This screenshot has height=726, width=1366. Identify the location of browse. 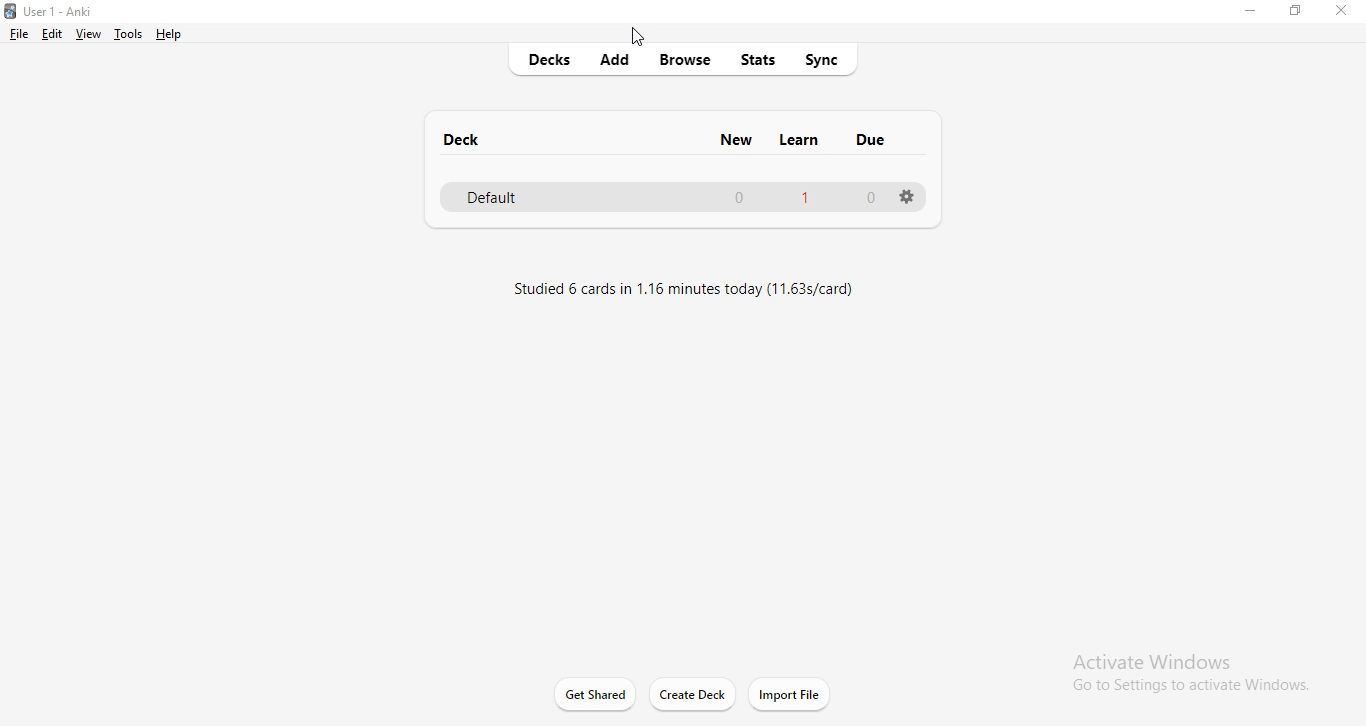
(685, 63).